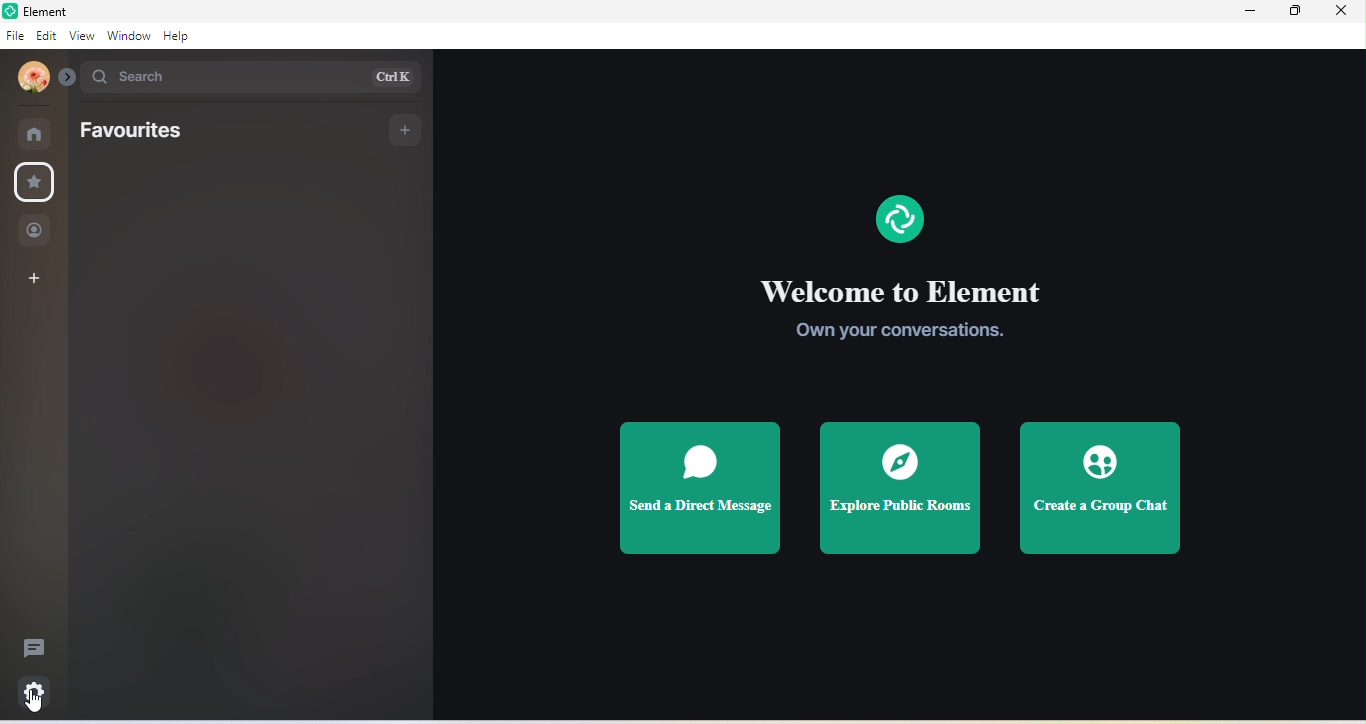 The width and height of the screenshot is (1366, 724). I want to click on edit, so click(45, 38).